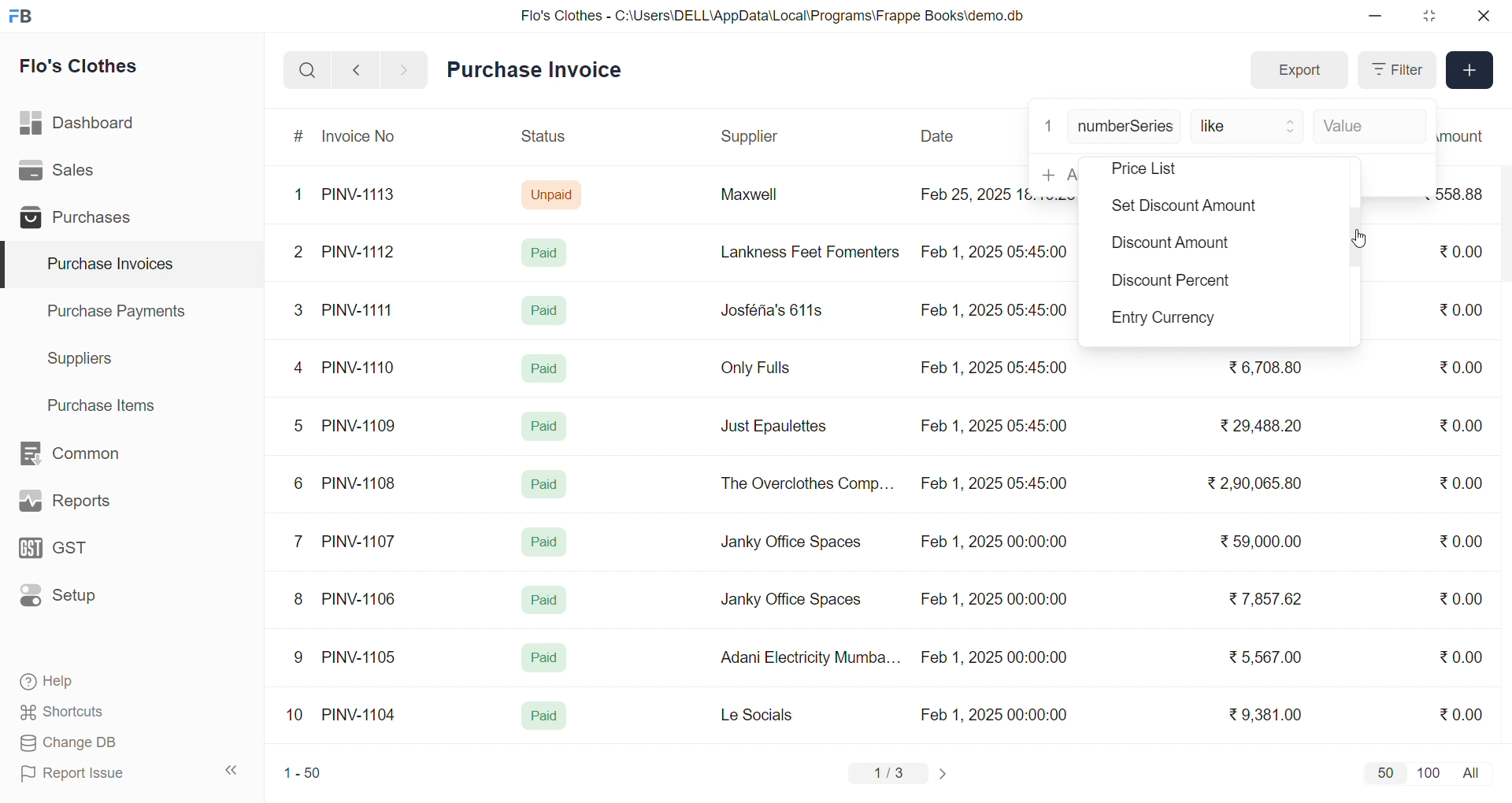  What do you see at coordinates (361, 715) in the screenshot?
I see `PINV-1104` at bounding box center [361, 715].